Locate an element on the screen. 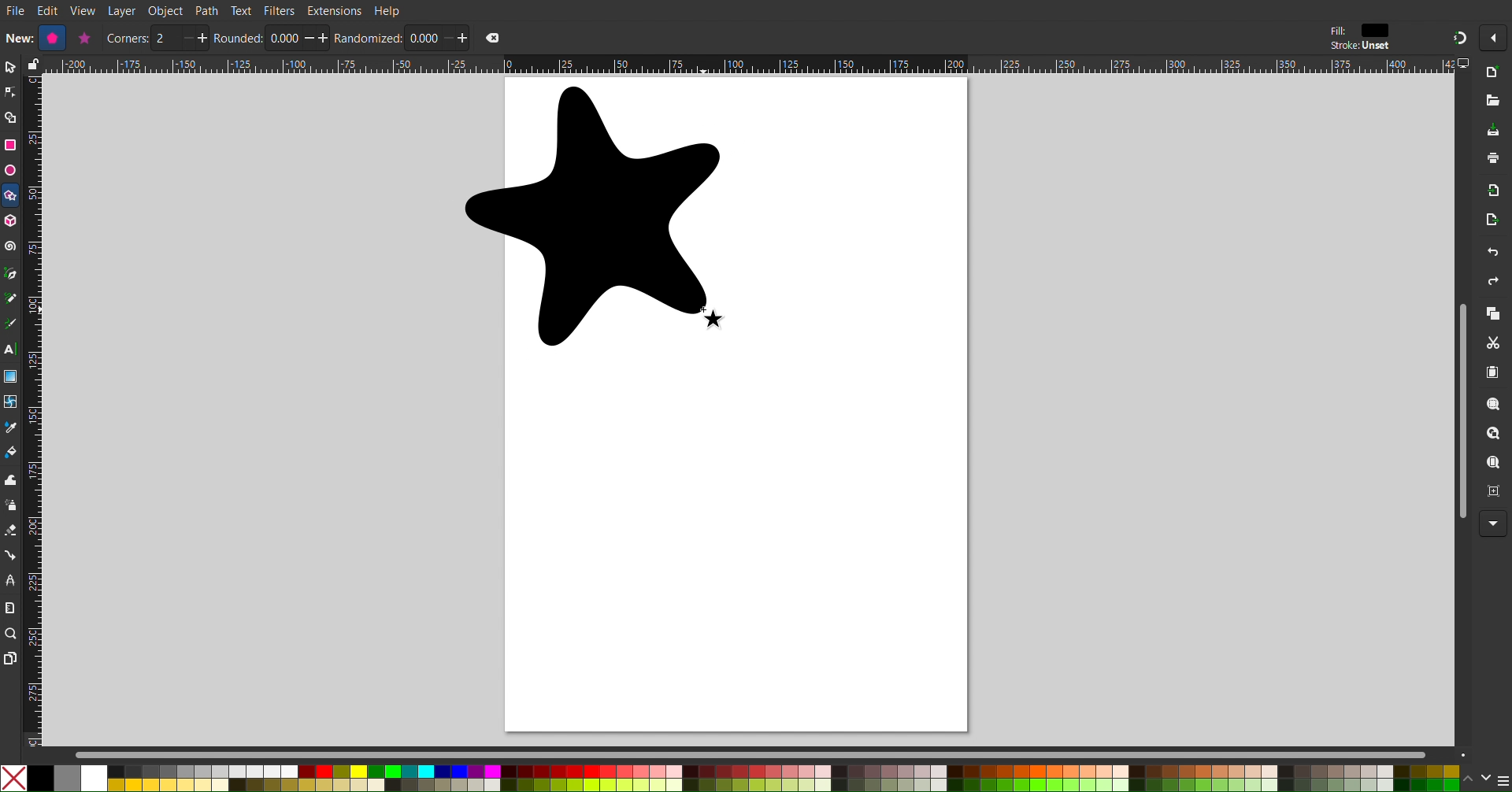  Node Tool is located at coordinates (10, 93).